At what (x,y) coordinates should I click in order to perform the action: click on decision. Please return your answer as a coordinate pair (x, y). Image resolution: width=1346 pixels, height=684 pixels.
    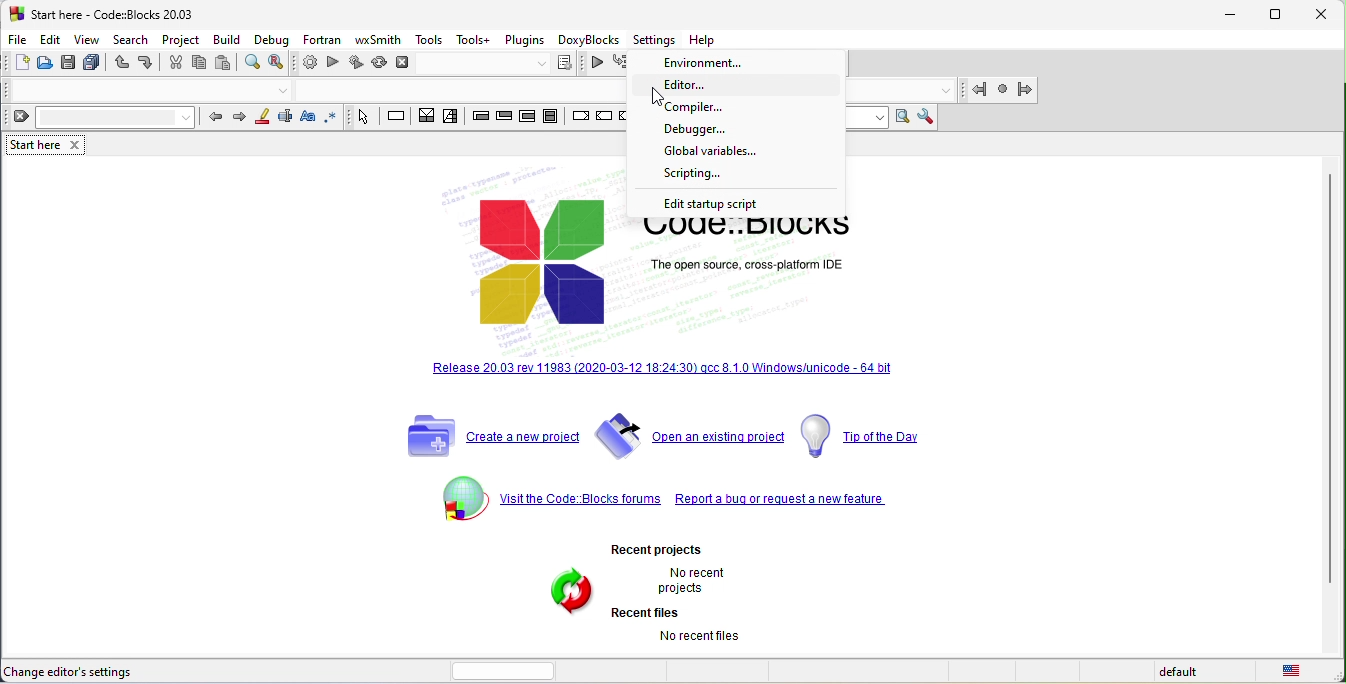
    Looking at the image, I should click on (428, 118).